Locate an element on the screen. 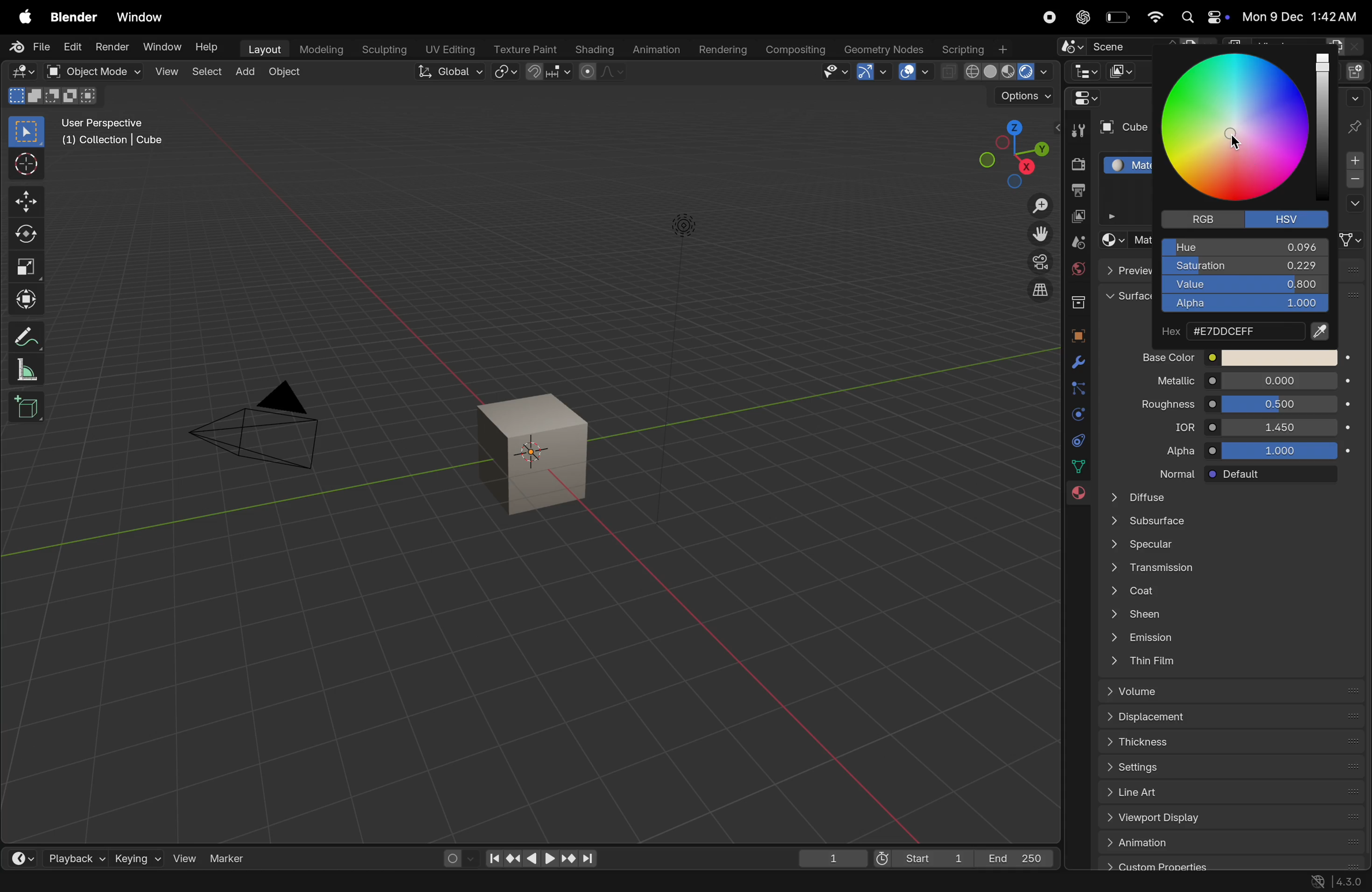 This screenshot has height=892, width=1372. output is located at coordinates (1076, 192).